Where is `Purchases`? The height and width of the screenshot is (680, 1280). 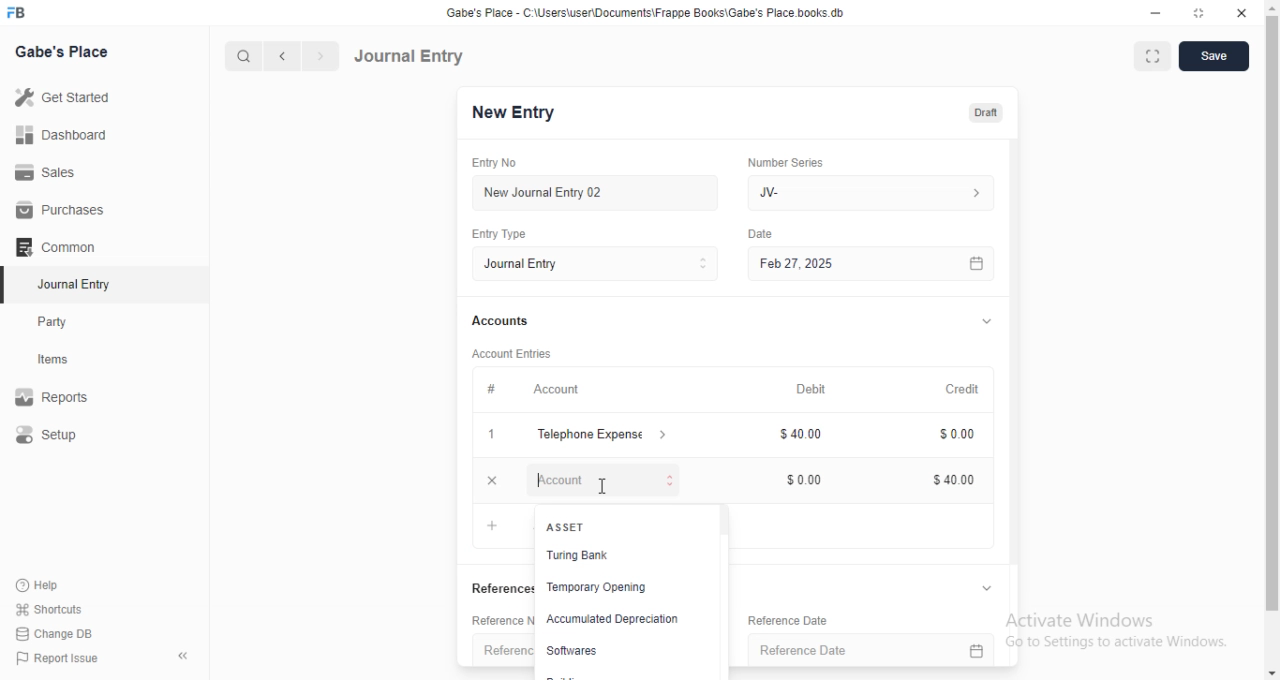 Purchases is located at coordinates (56, 208).